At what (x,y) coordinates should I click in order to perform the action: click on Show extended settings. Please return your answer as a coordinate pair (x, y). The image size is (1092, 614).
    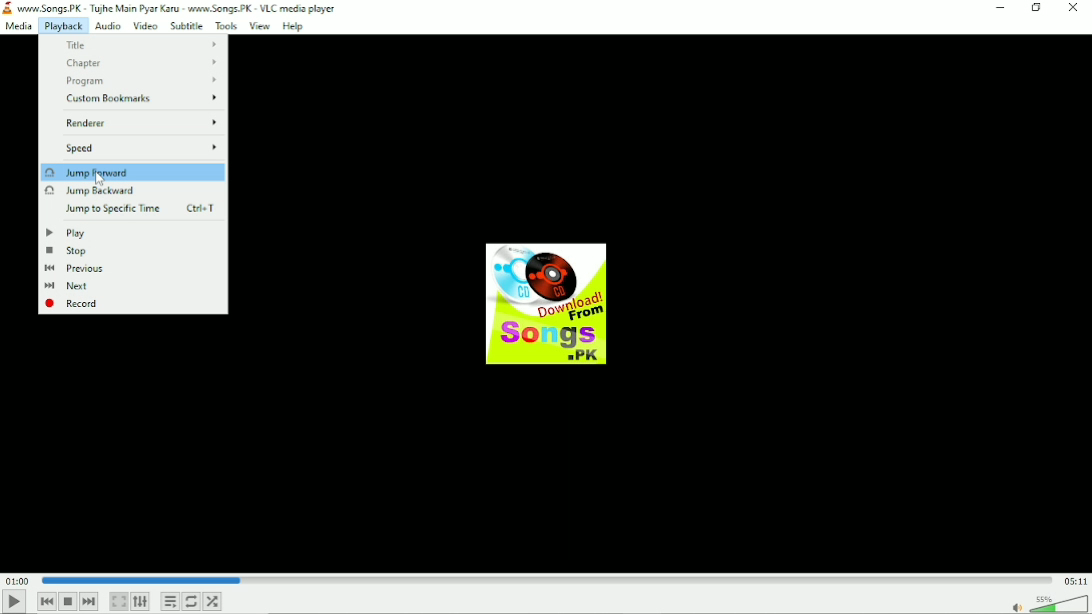
    Looking at the image, I should click on (141, 602).